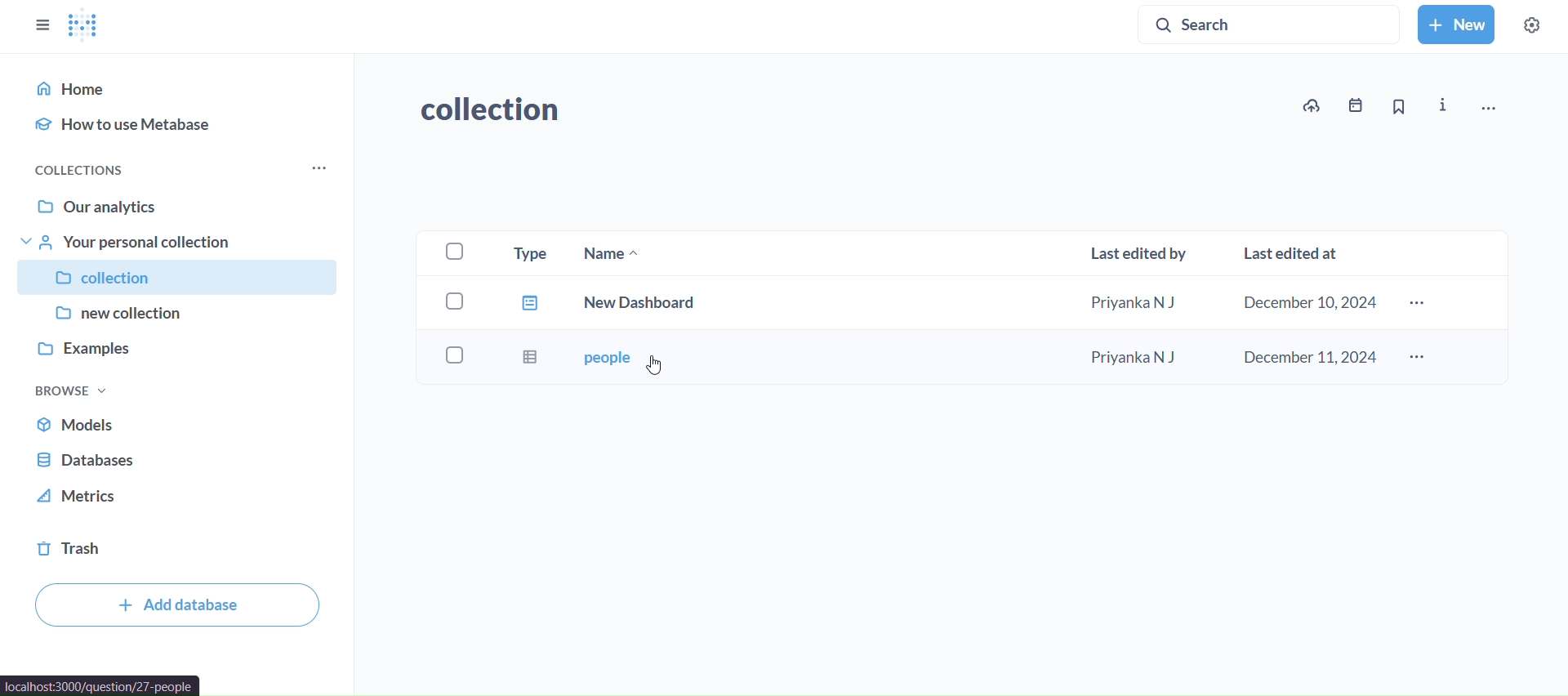 This screenshot has width=1568, height=696. Describe the element at coordinates (91, 26) in the screenshot. I see `logo` at that location.